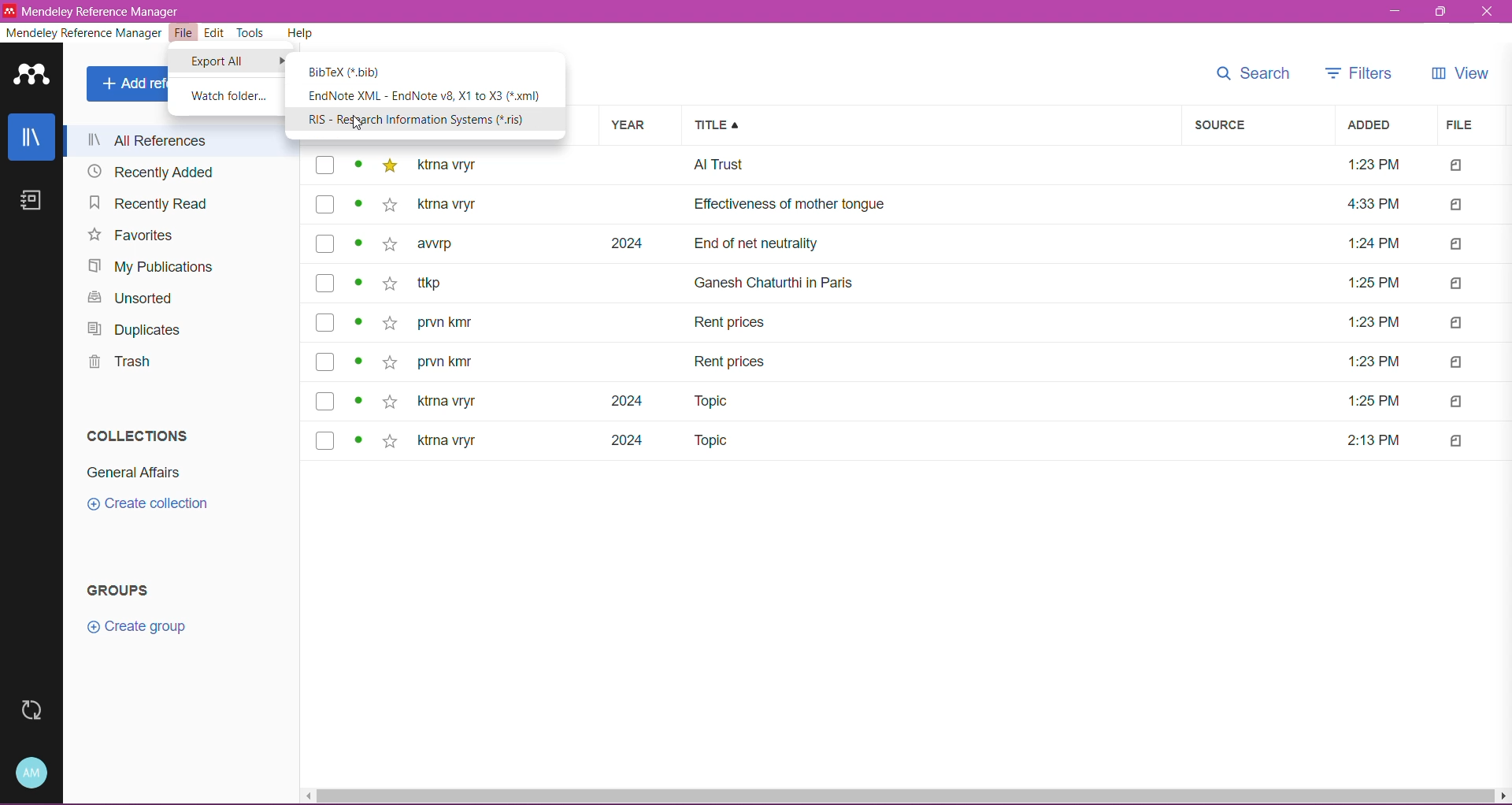 This screenshot has width=1512, height=805. What do you see at coordinates (1354, 72) in the screenshot?
I see `Filters` at bounding box center [1354, 72].